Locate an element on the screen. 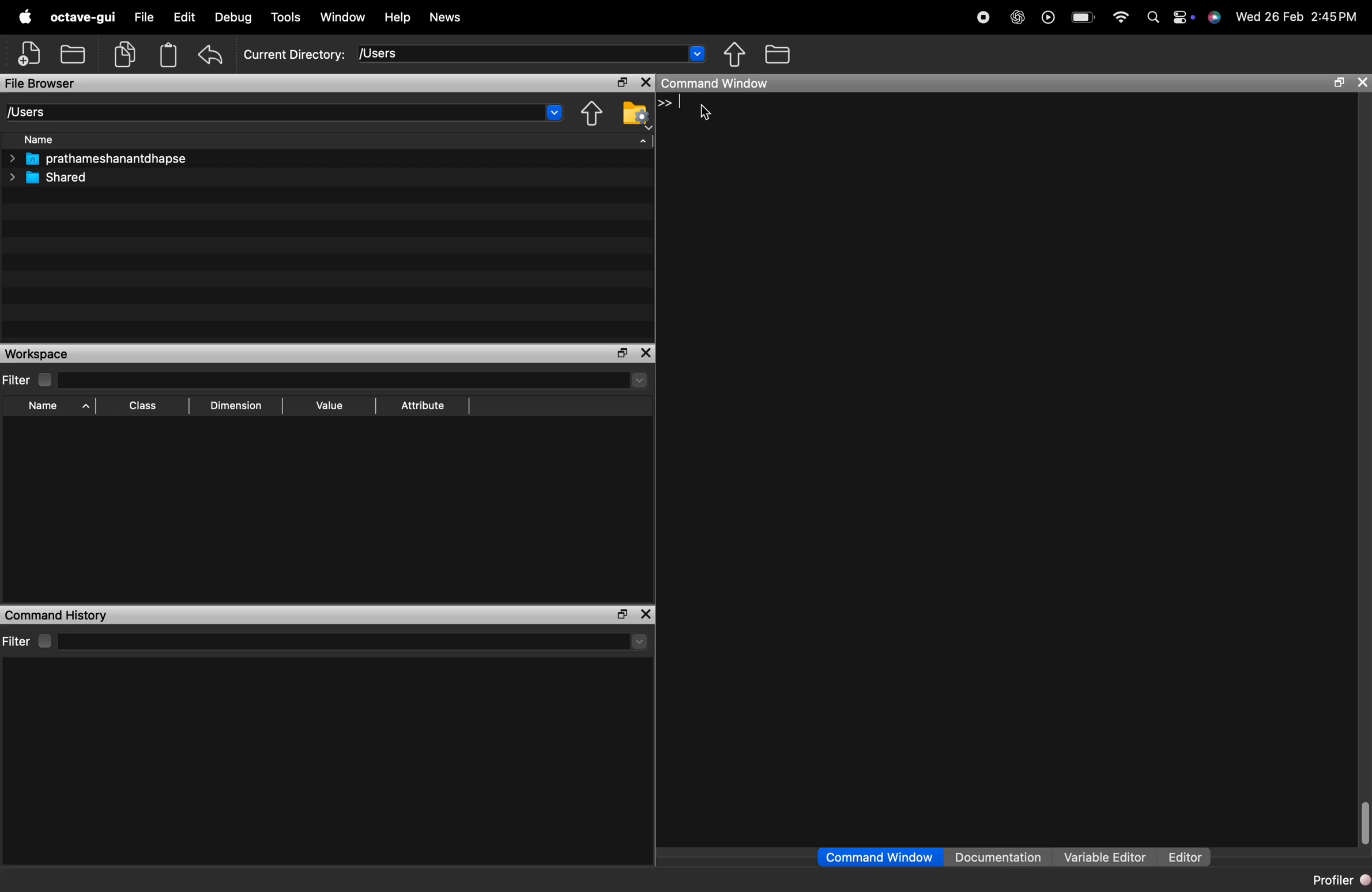 The image size is (1372, 892). Command Window is located at coordinates (865, 855).